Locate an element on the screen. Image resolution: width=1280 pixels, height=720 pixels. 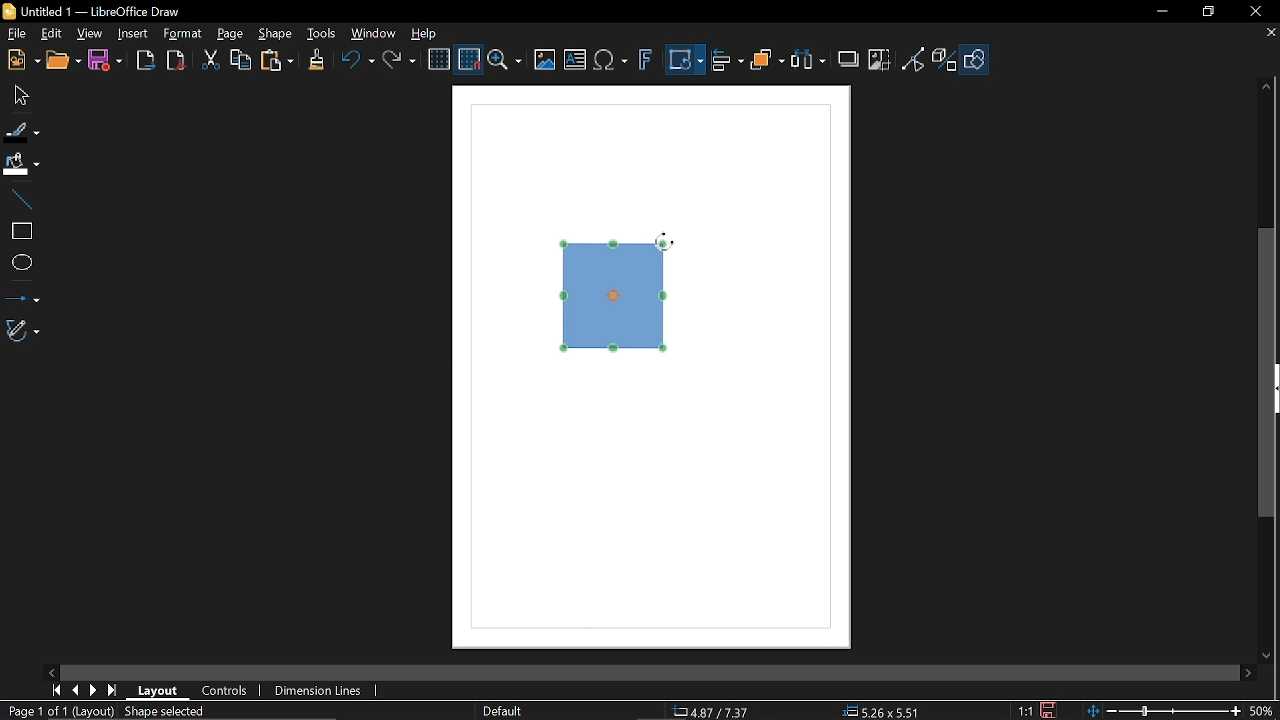
50% (Current zoom) is located at coordinates (1262, 709).